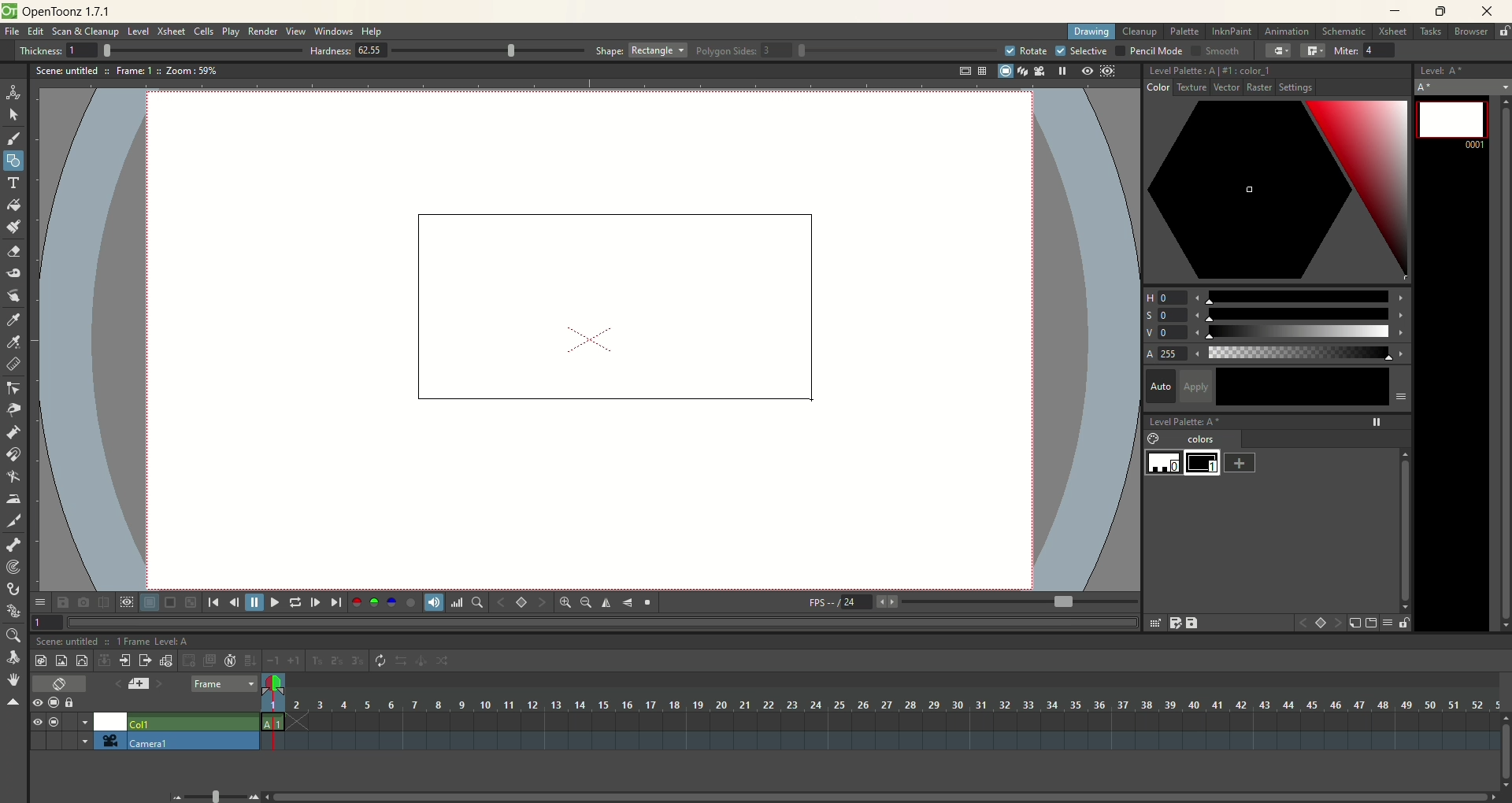 The image size is (1512, 803). I want to click on toggle onion skin, so click(272, 684).